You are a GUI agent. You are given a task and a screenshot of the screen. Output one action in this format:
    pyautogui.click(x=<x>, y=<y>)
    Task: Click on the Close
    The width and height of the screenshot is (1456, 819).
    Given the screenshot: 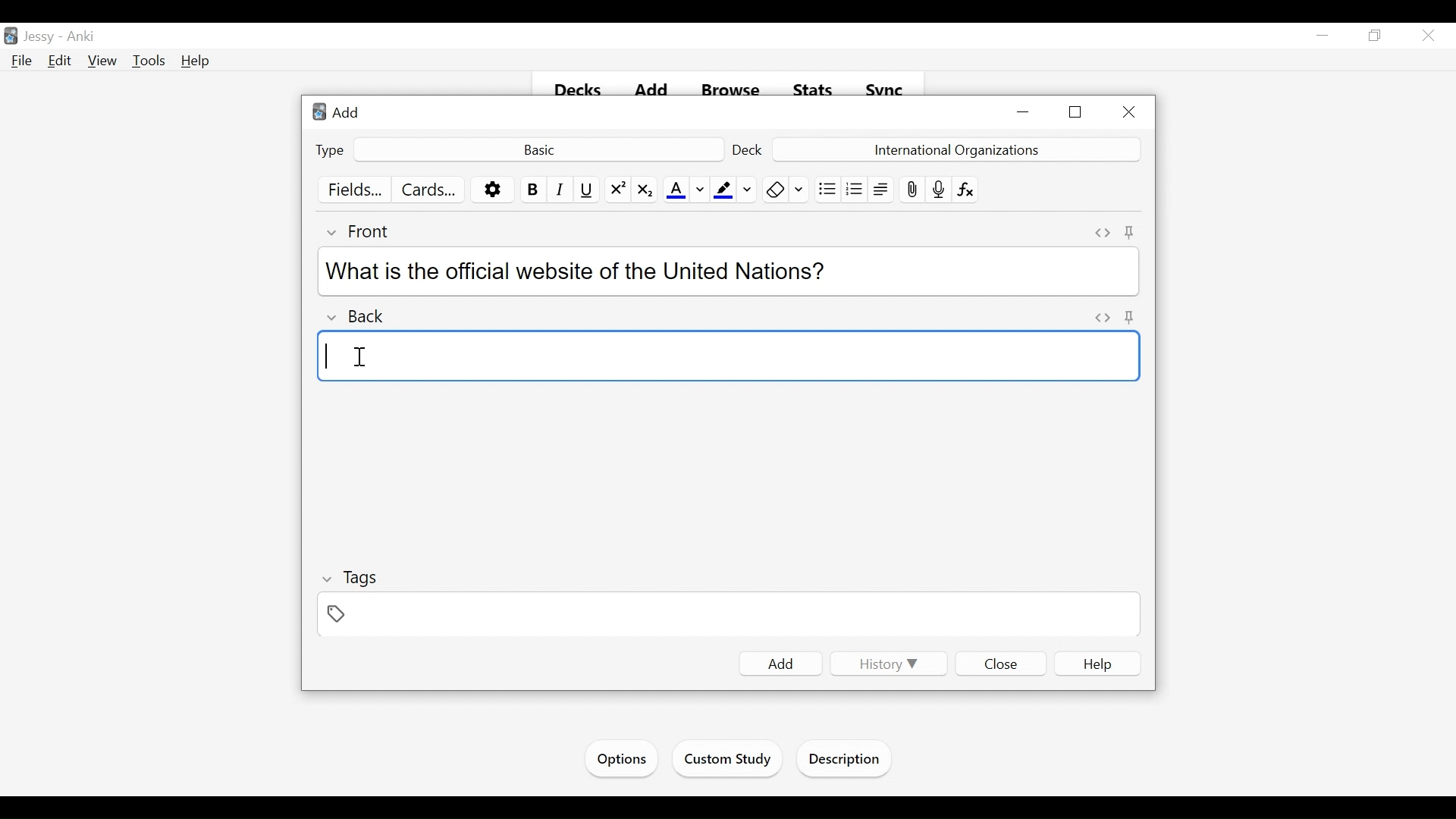 What is the action you would take?
    pyautogui.click(x=1129, y=111)
    